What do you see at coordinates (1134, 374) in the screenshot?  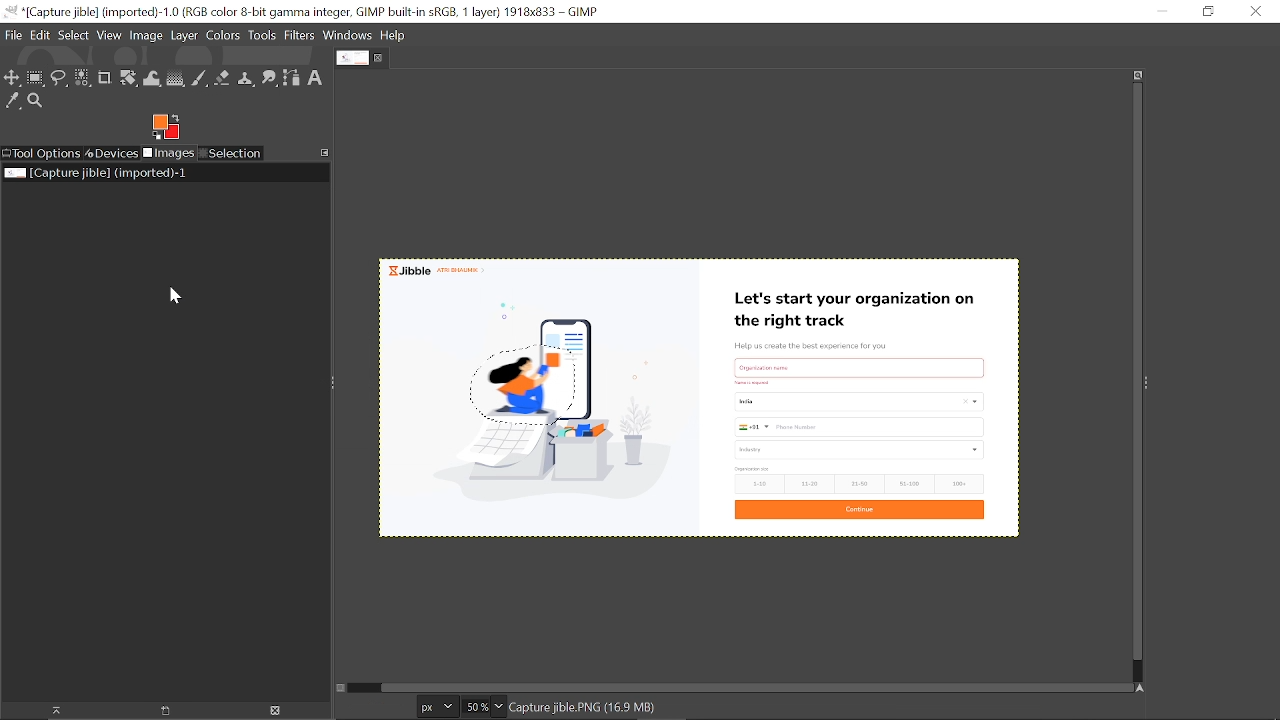 I see `Vertical scrollbar` at bounding box center [1134, 374].